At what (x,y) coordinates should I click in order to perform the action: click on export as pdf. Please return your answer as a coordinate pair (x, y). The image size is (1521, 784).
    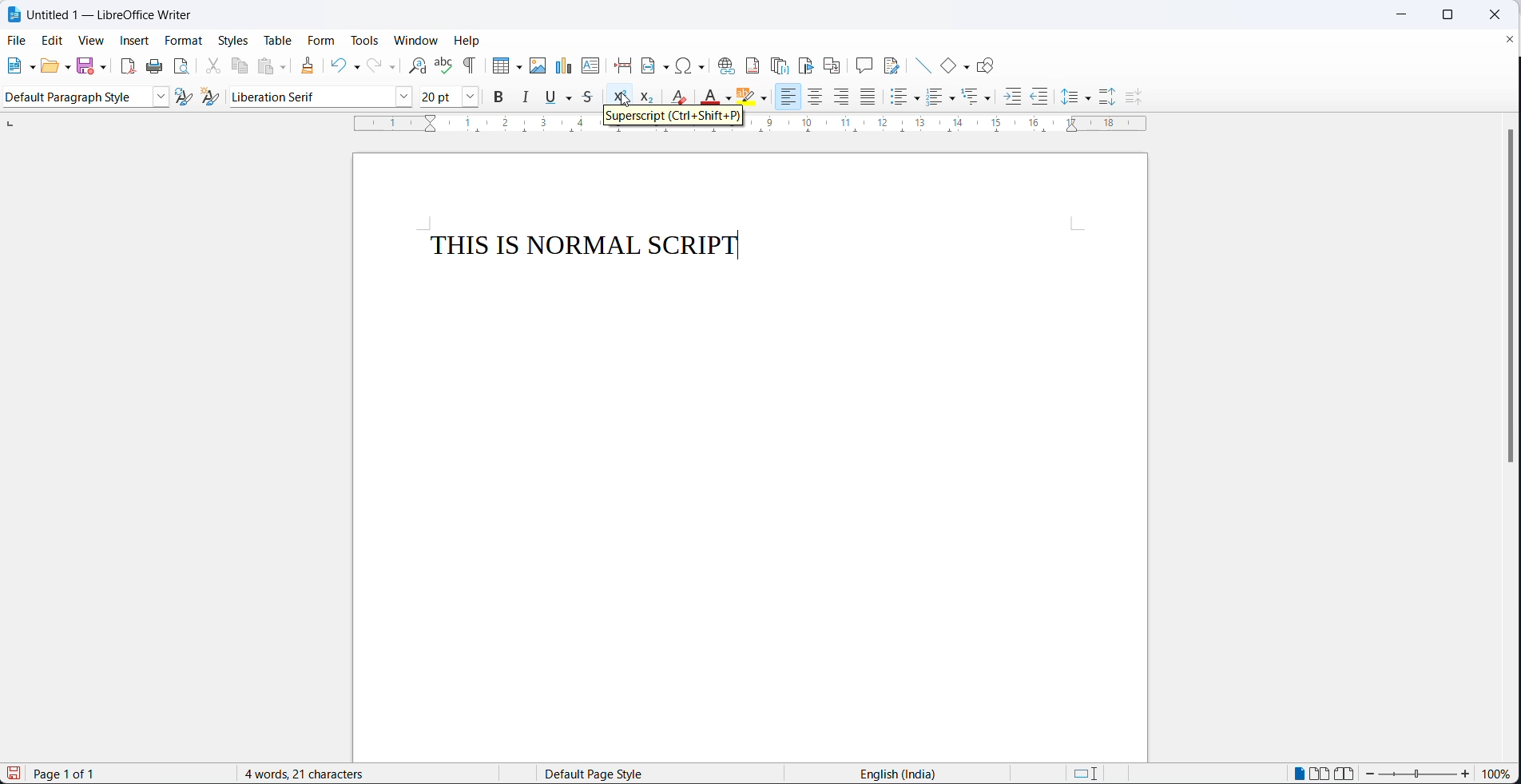
    Looking at the image, I should click on (127, 65).